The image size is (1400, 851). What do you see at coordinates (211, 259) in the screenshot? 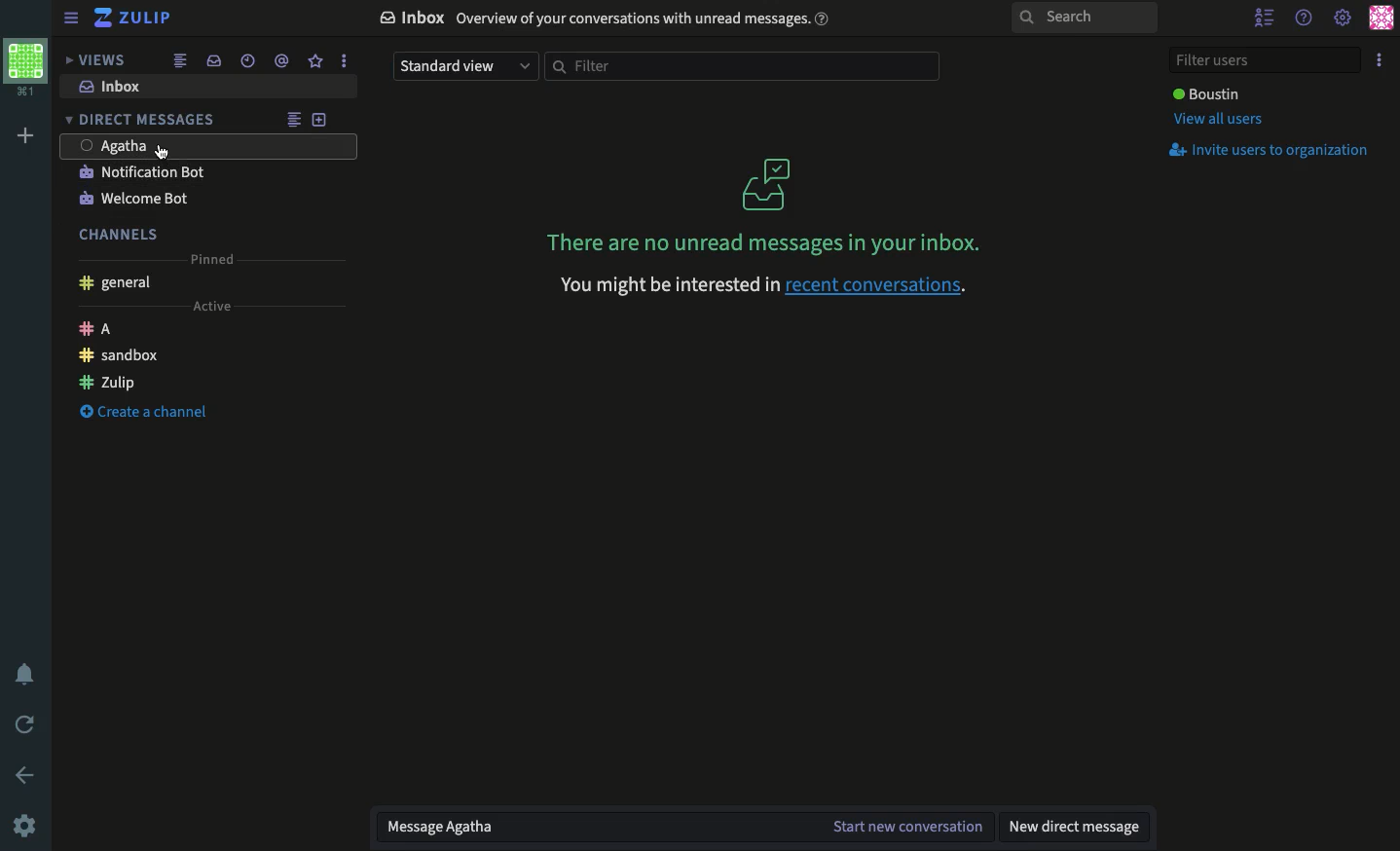
I see `Pinned` at bounding box center [211, 259].